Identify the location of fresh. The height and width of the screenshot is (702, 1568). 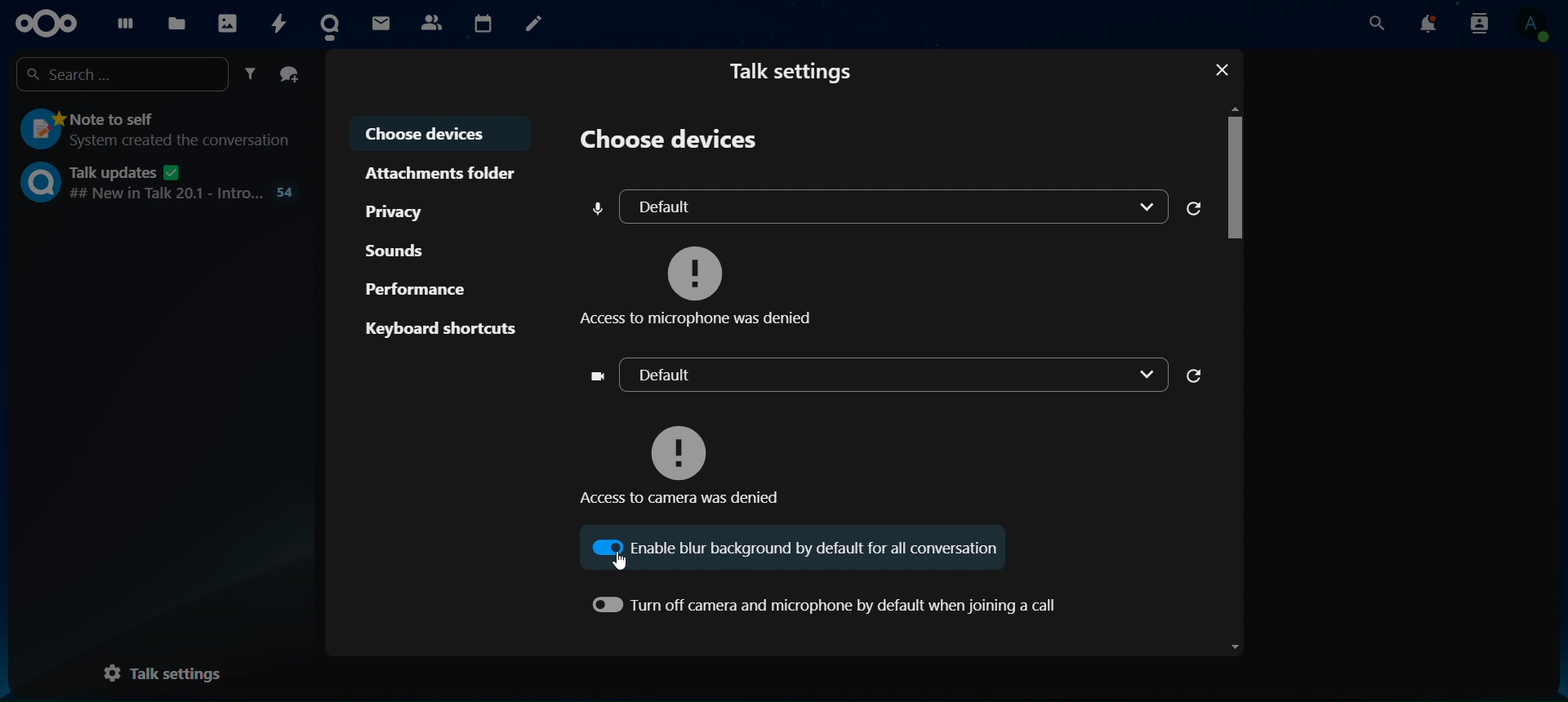
(1194, 376).